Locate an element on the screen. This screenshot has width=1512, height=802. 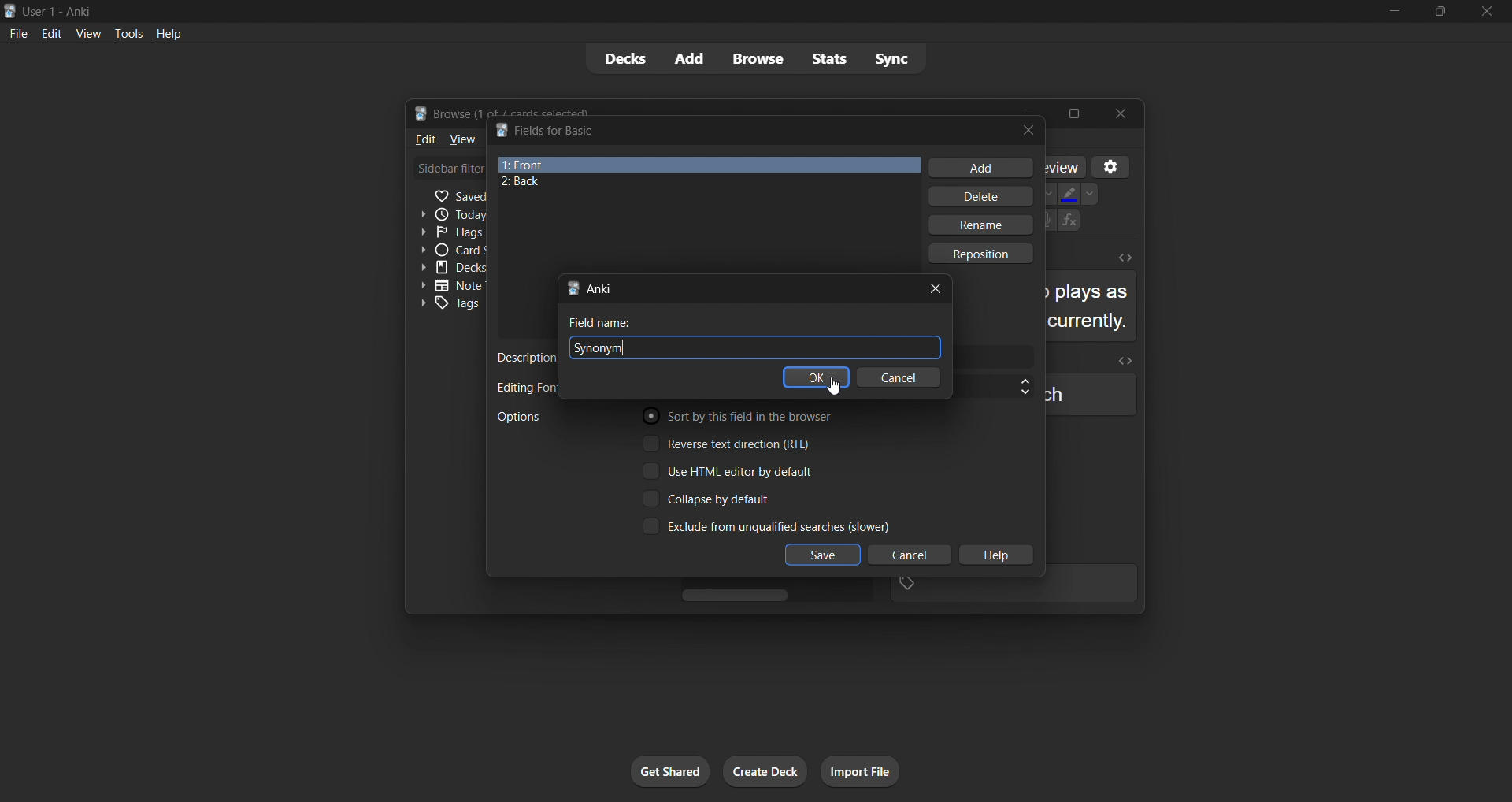
tools is located at coordinates (128, 34).